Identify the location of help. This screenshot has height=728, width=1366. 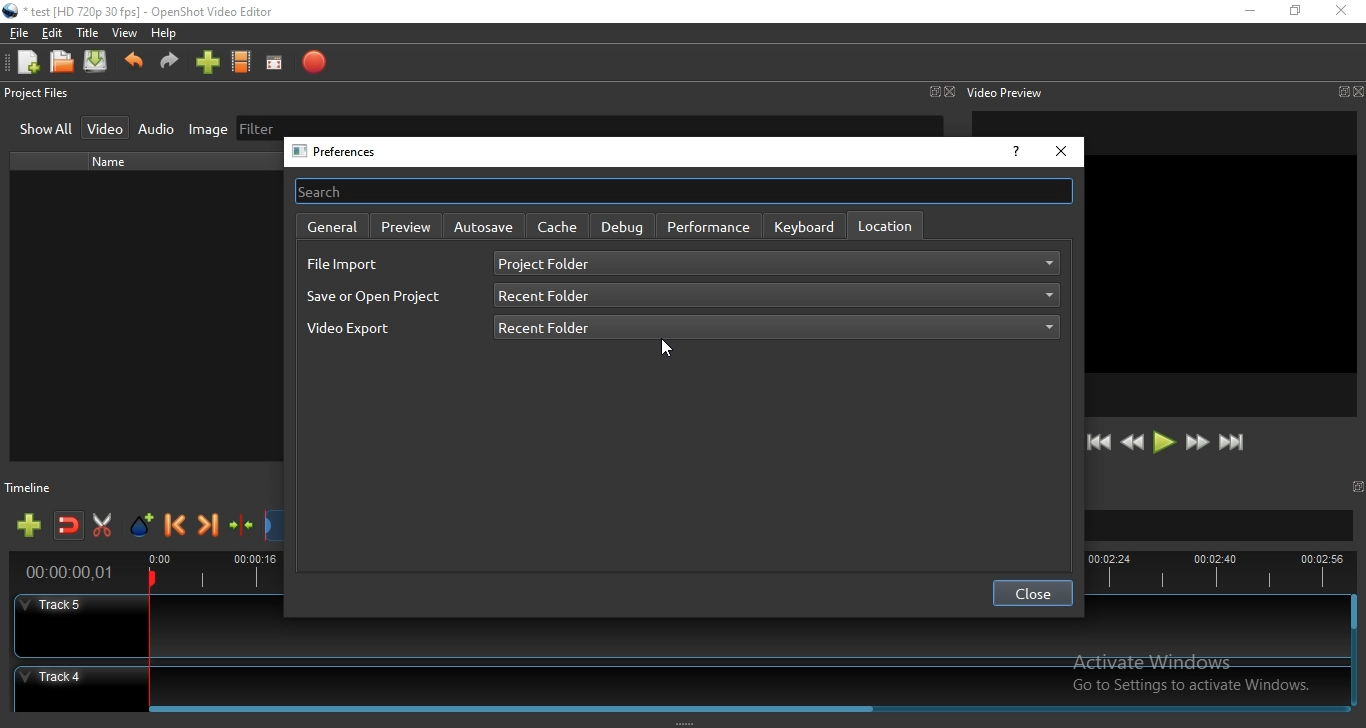
(1014, 154).